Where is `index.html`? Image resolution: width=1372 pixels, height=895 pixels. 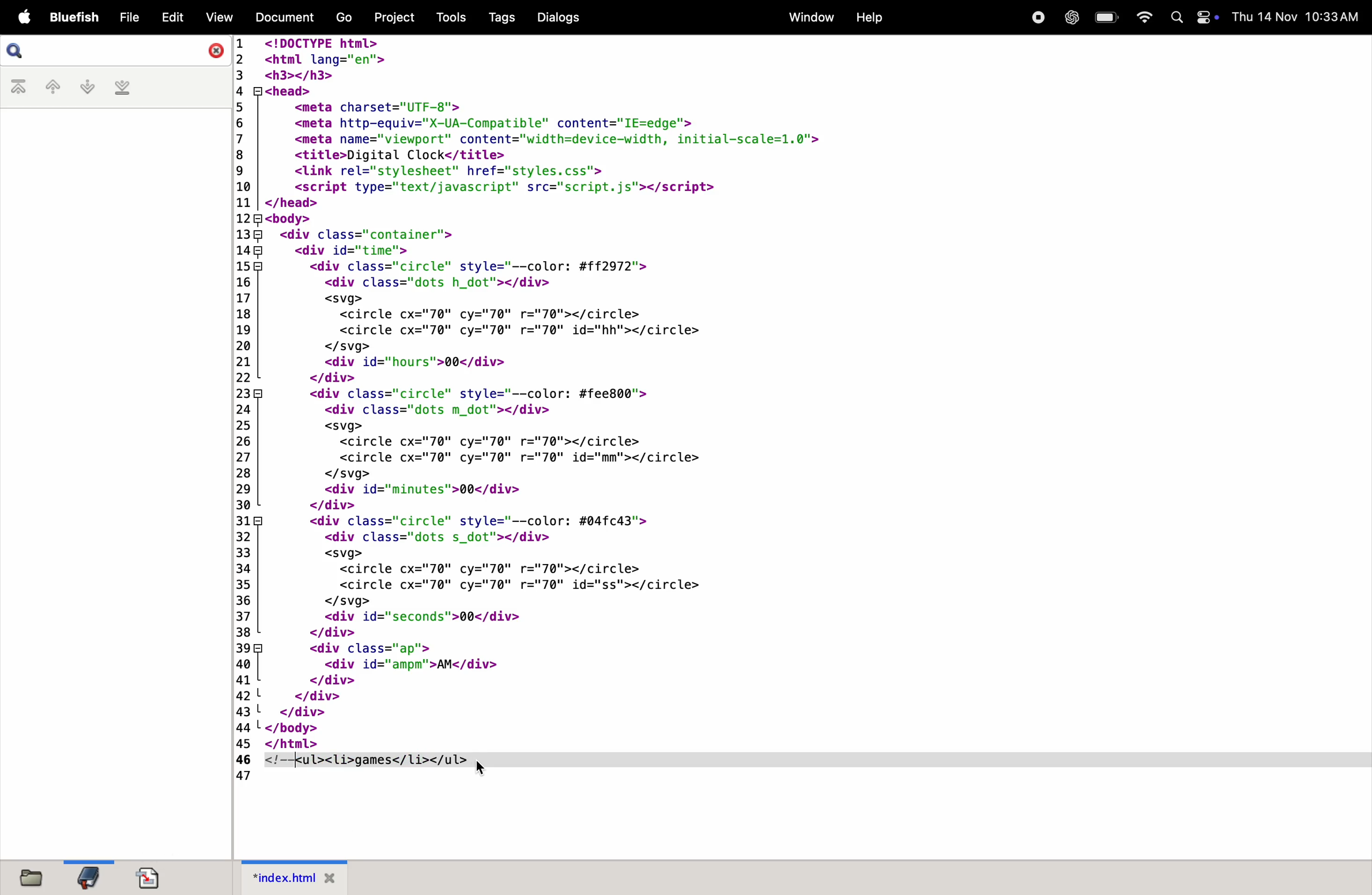
index.html is located at coordinates (293, 877).